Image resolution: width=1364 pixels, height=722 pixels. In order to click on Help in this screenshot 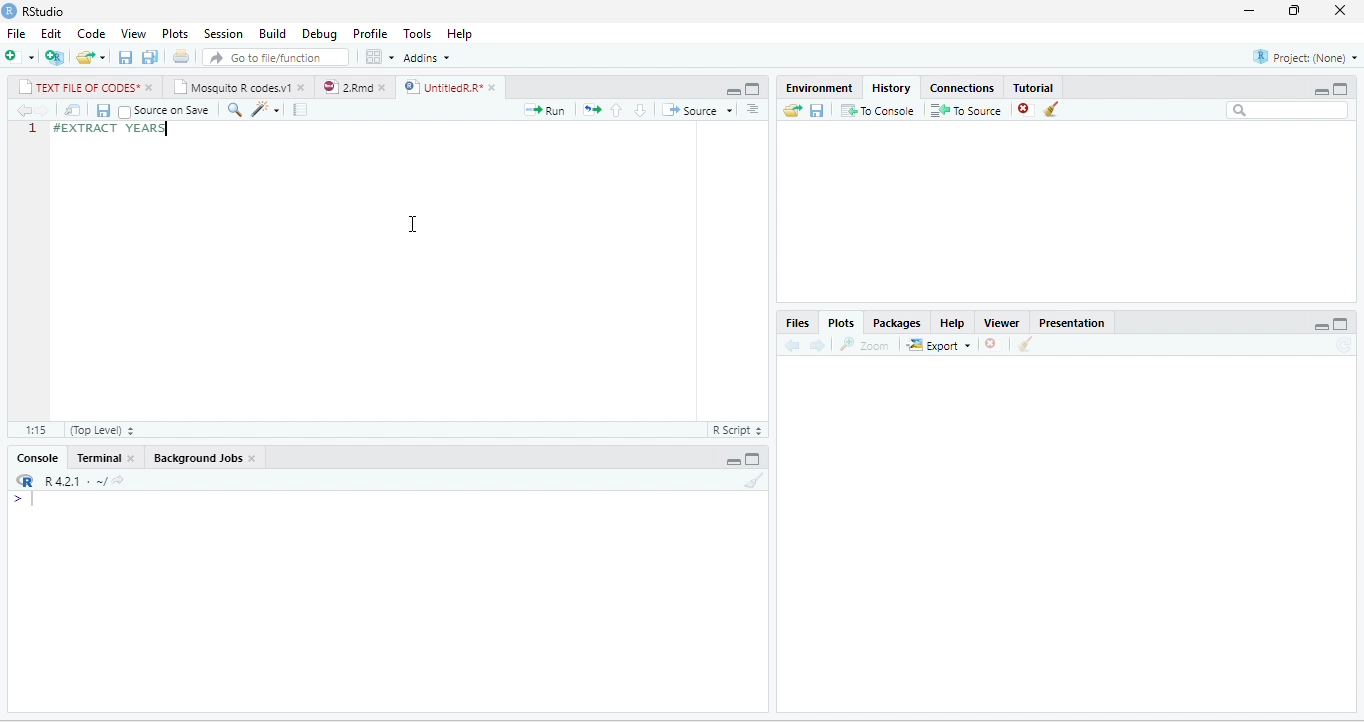, I will do `click(953, 323)`.